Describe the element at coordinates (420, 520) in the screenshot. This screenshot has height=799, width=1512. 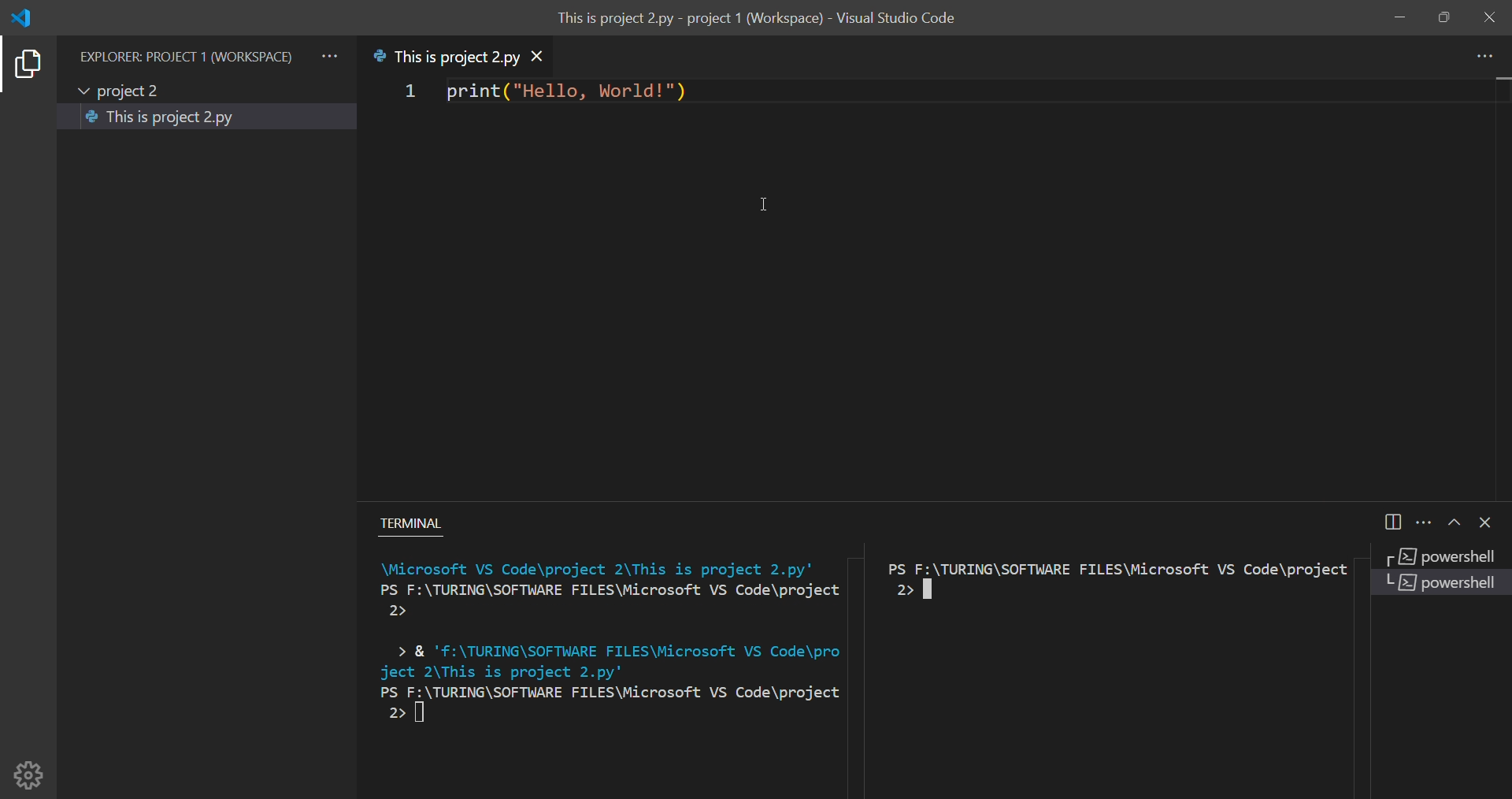
I see `terminal` at that location.